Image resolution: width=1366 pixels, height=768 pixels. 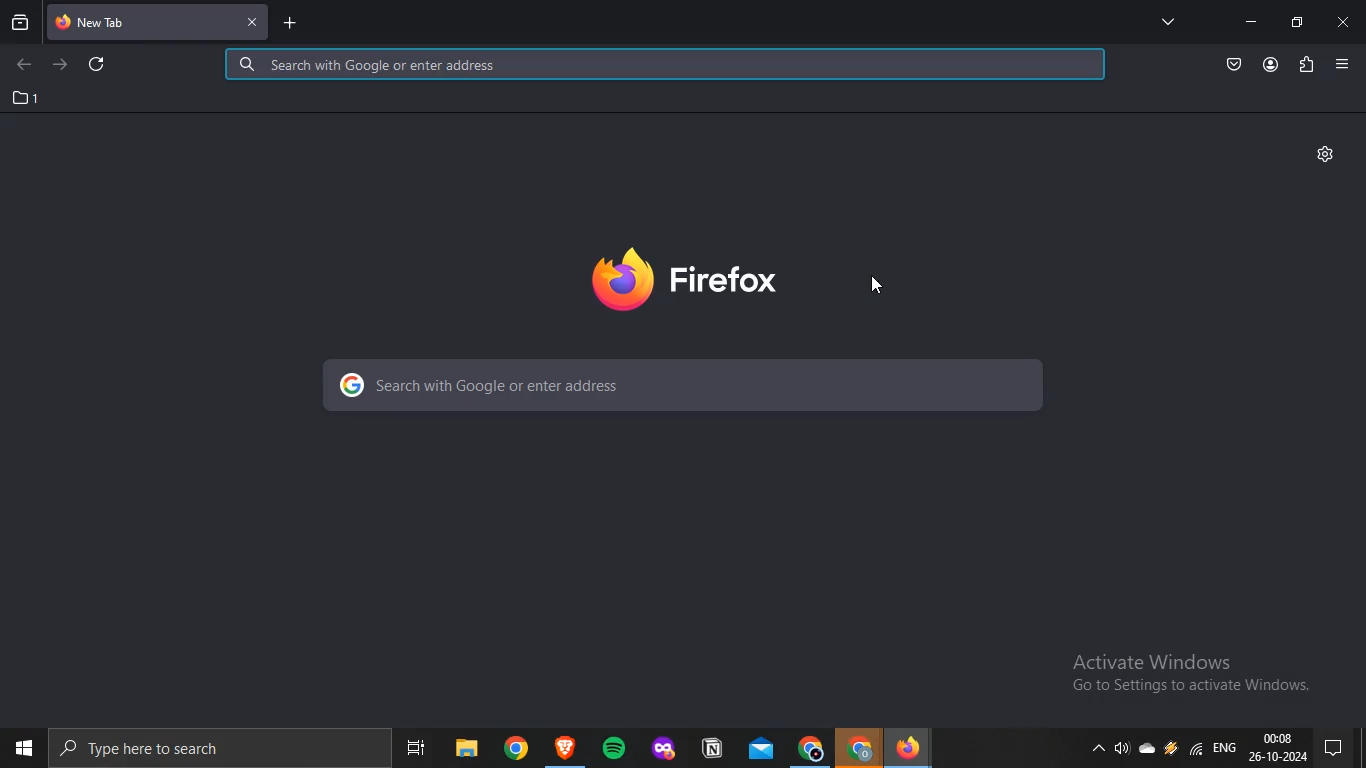 What do you see at coordinates (1150, 750) in the screenshot?
I see `storage` at bounding box center [1150, 750].